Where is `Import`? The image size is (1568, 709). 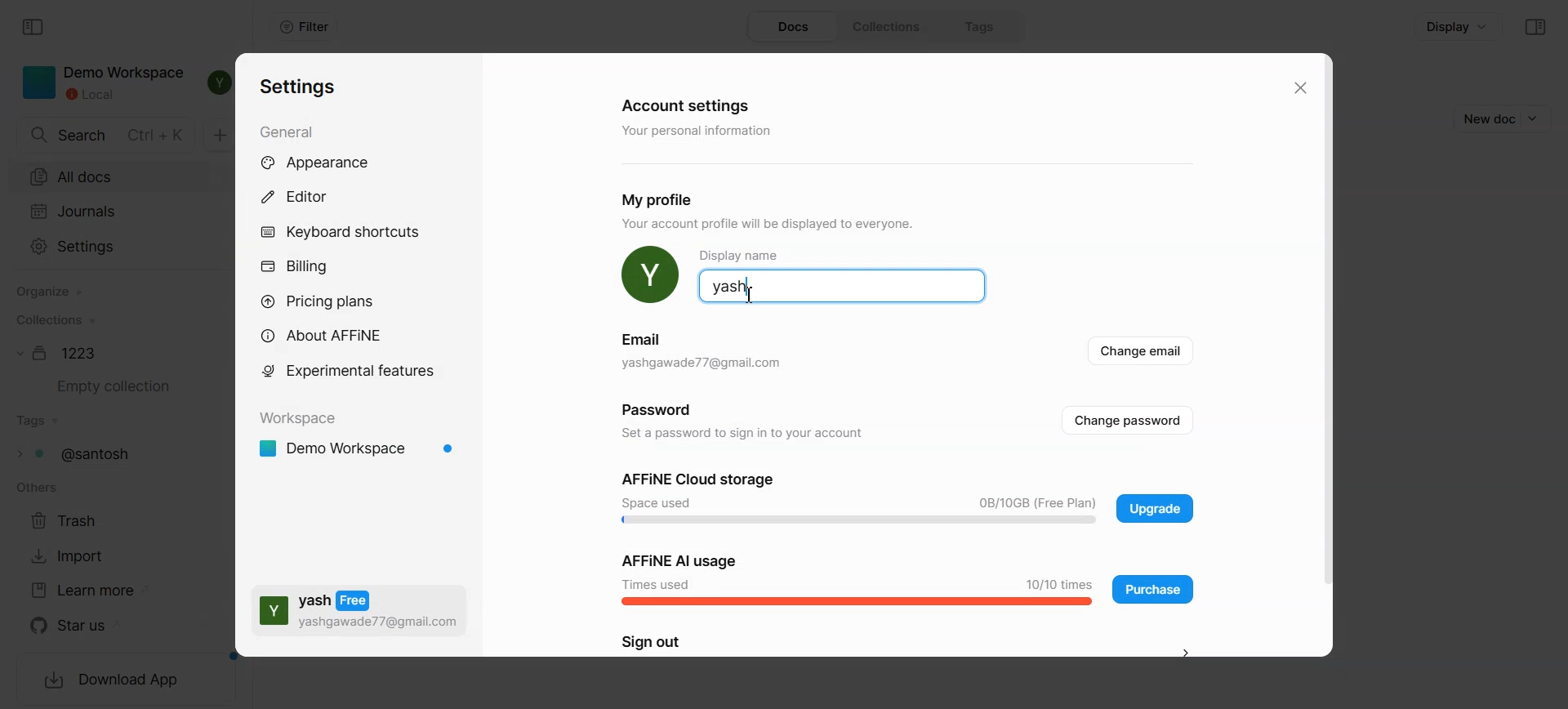
Import is located at coordinates (75, 555).